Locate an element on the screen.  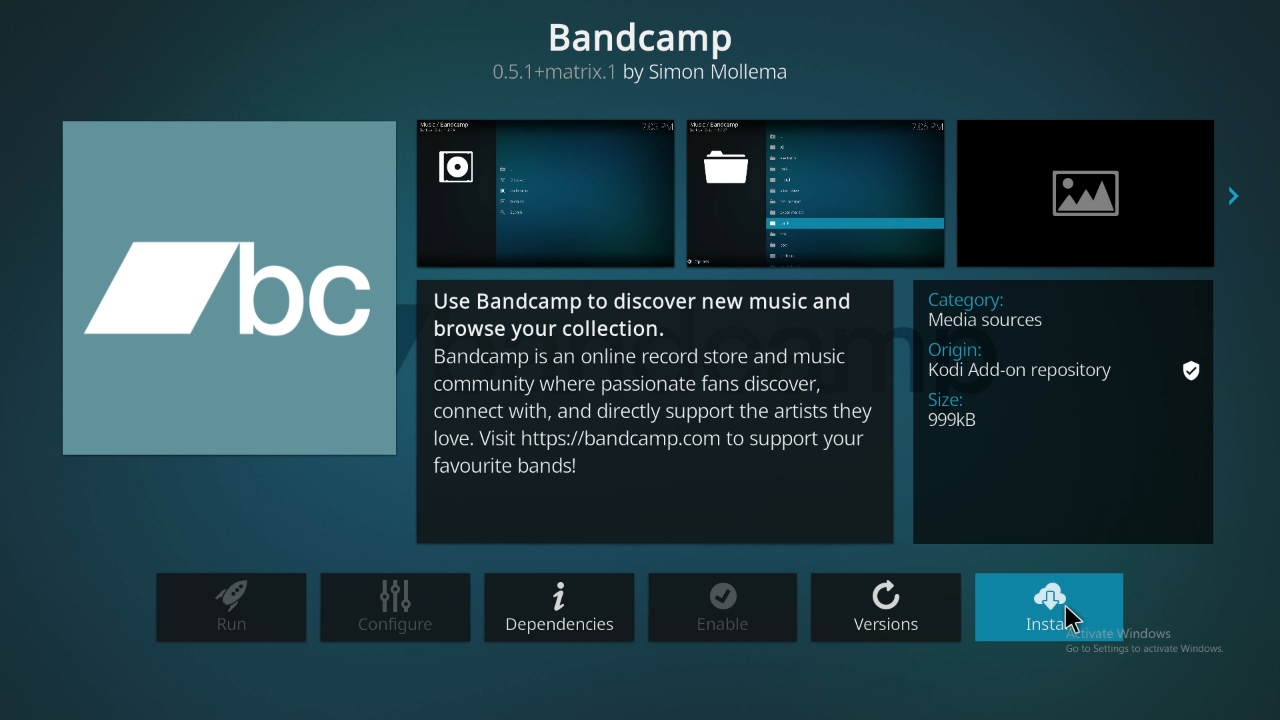
install is located at coordinates (1051, 607).